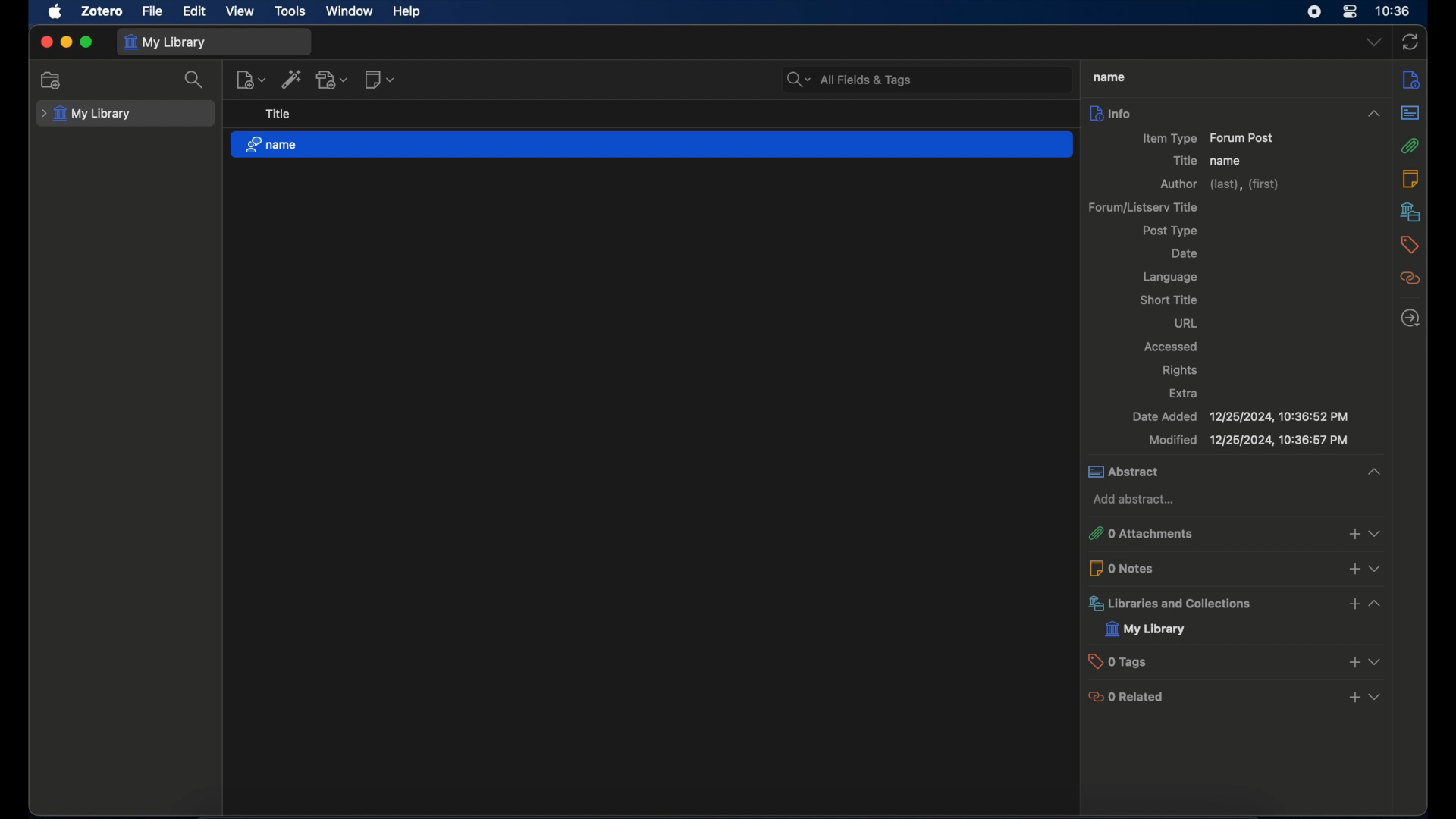 The width and height of the screenshot is (1456, 819). What do you see at coordinates (1173, 230) in the screenshot?
I see `ost type` at bounding box center [1173, 230].